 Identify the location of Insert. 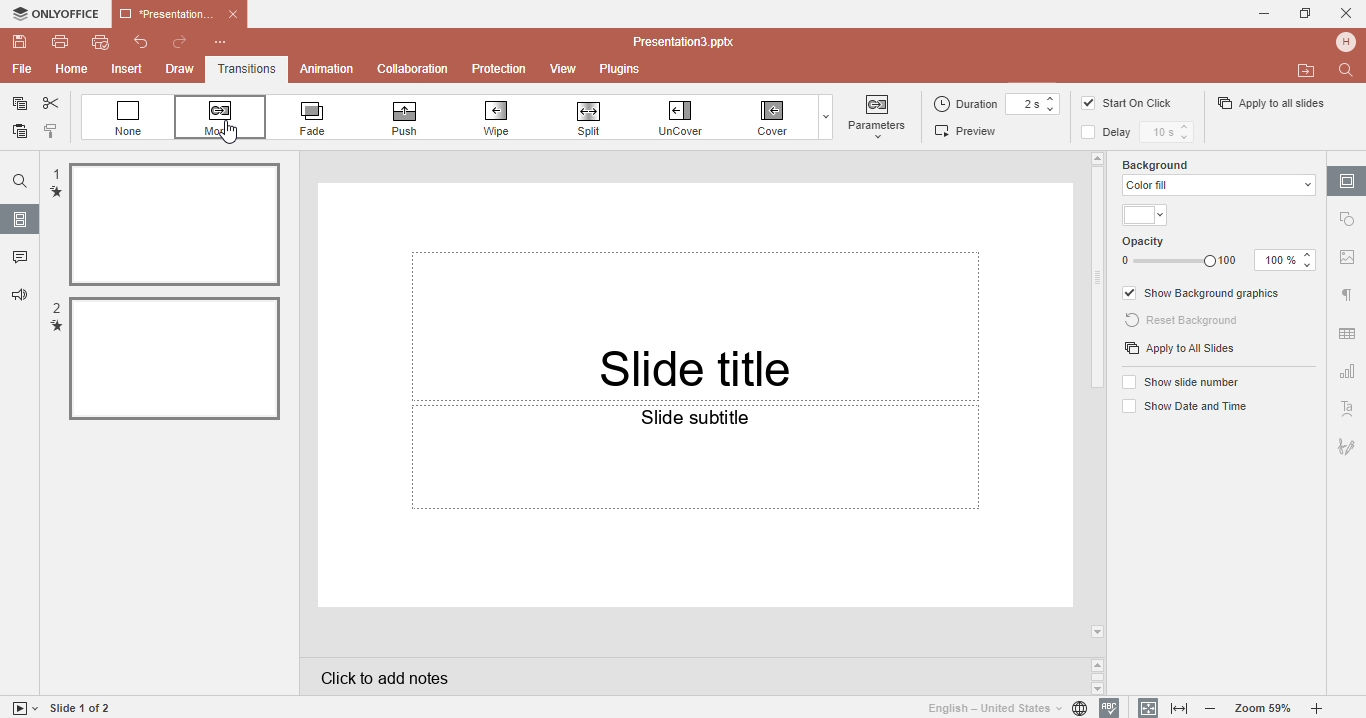
(129, 70).